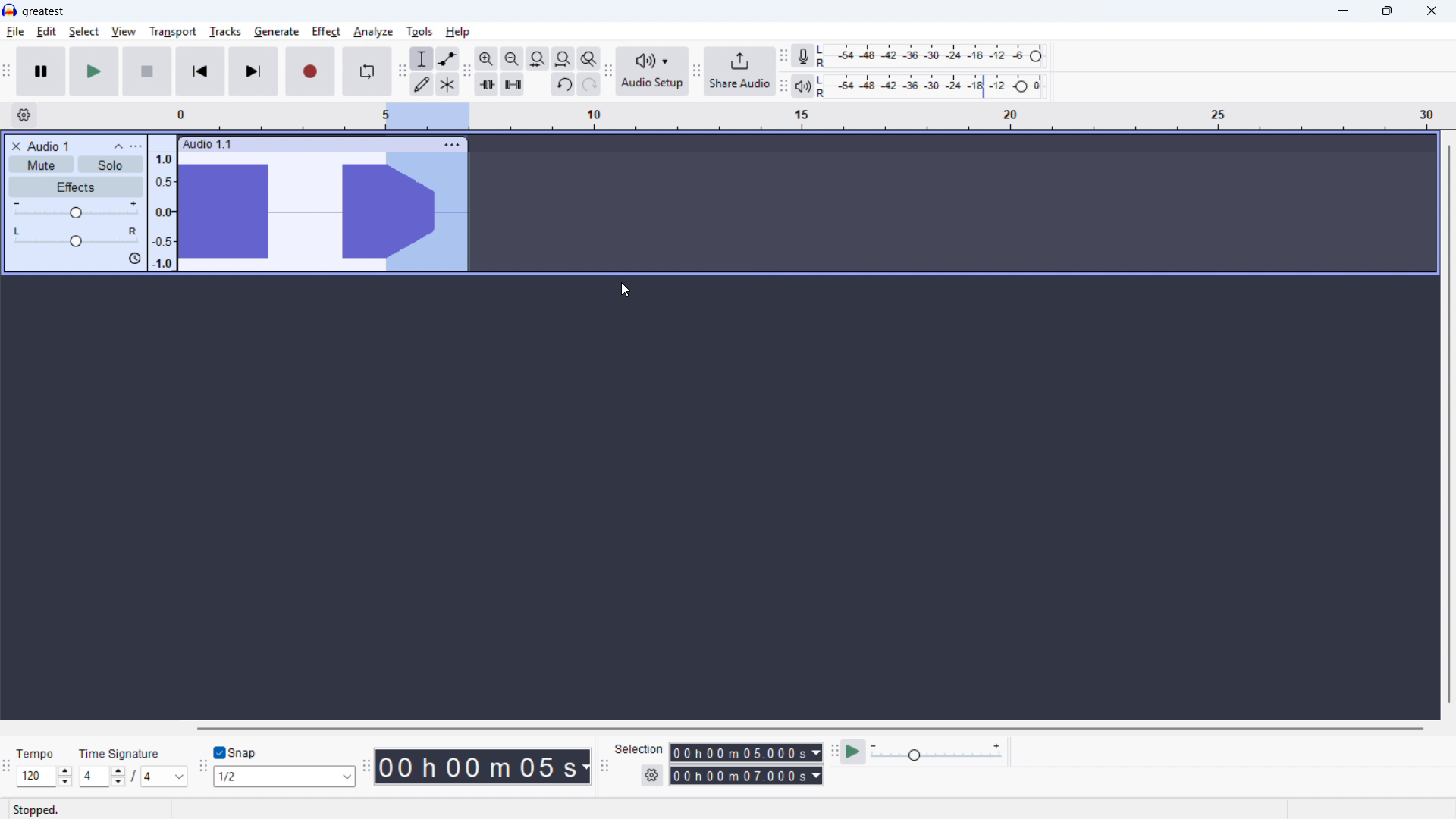 This screenshot has height=819, width=1456. What do you see at coordinates (696, 73) in the screenshot?
I see `` at bounding box center [696, 73].